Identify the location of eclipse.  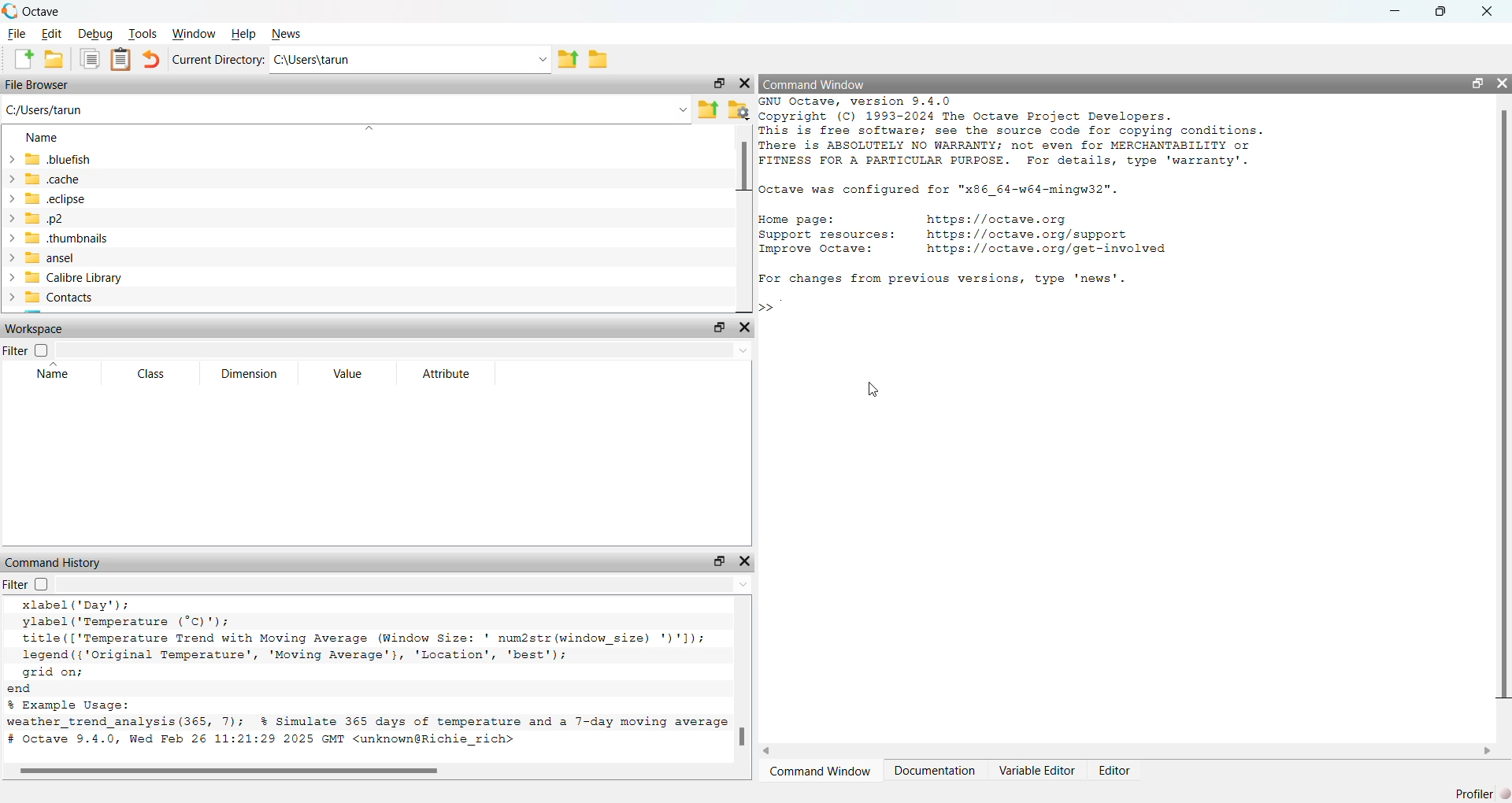
(50, 200).